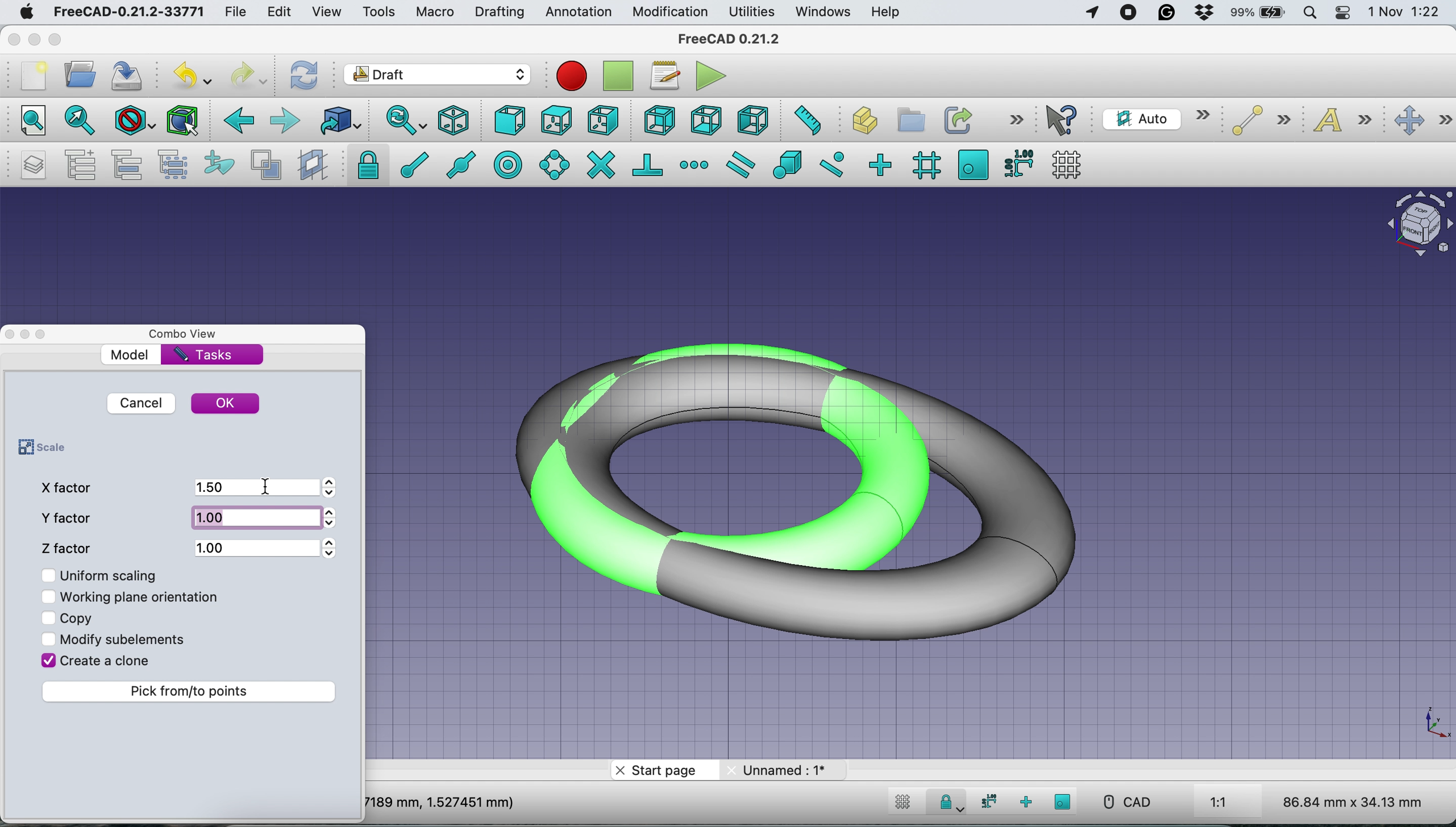  Describe the element at coordinates (708, 119) in the screenshot. I see `bottom` at that location.